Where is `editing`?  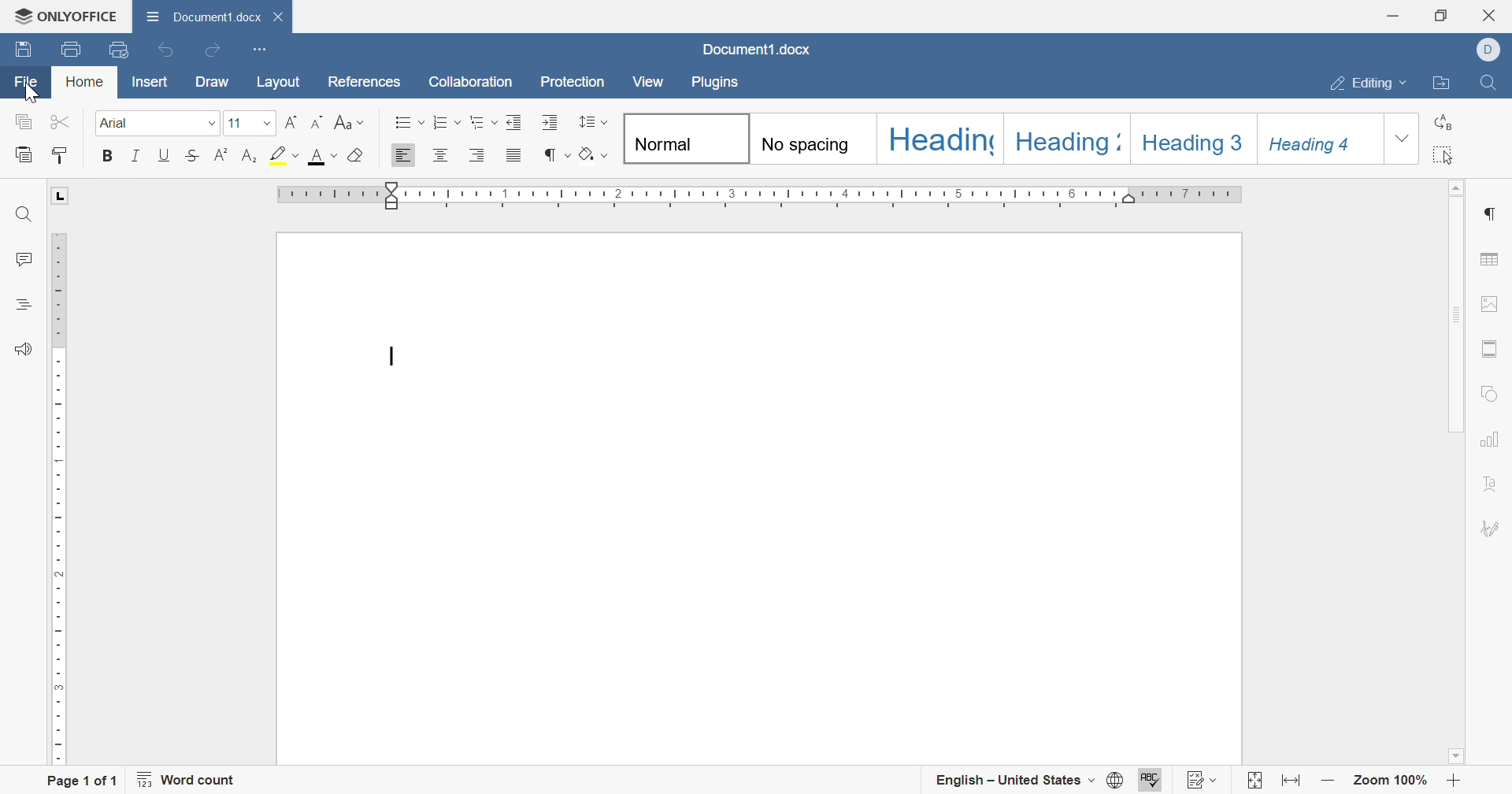 editing is located at coordinates (1369, 86).